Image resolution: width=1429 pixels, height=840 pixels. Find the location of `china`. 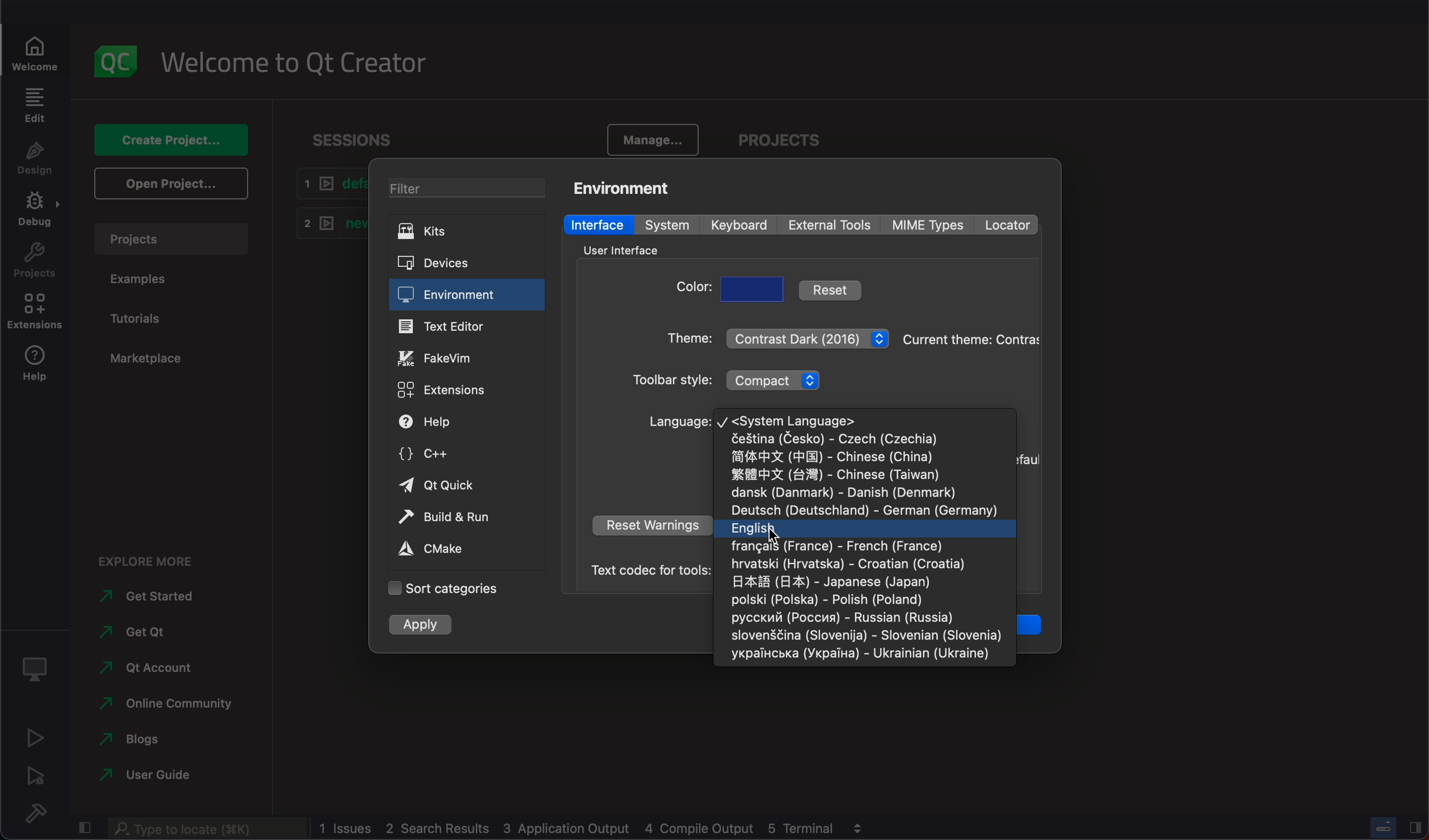

china is located at coordinates (848, 459).